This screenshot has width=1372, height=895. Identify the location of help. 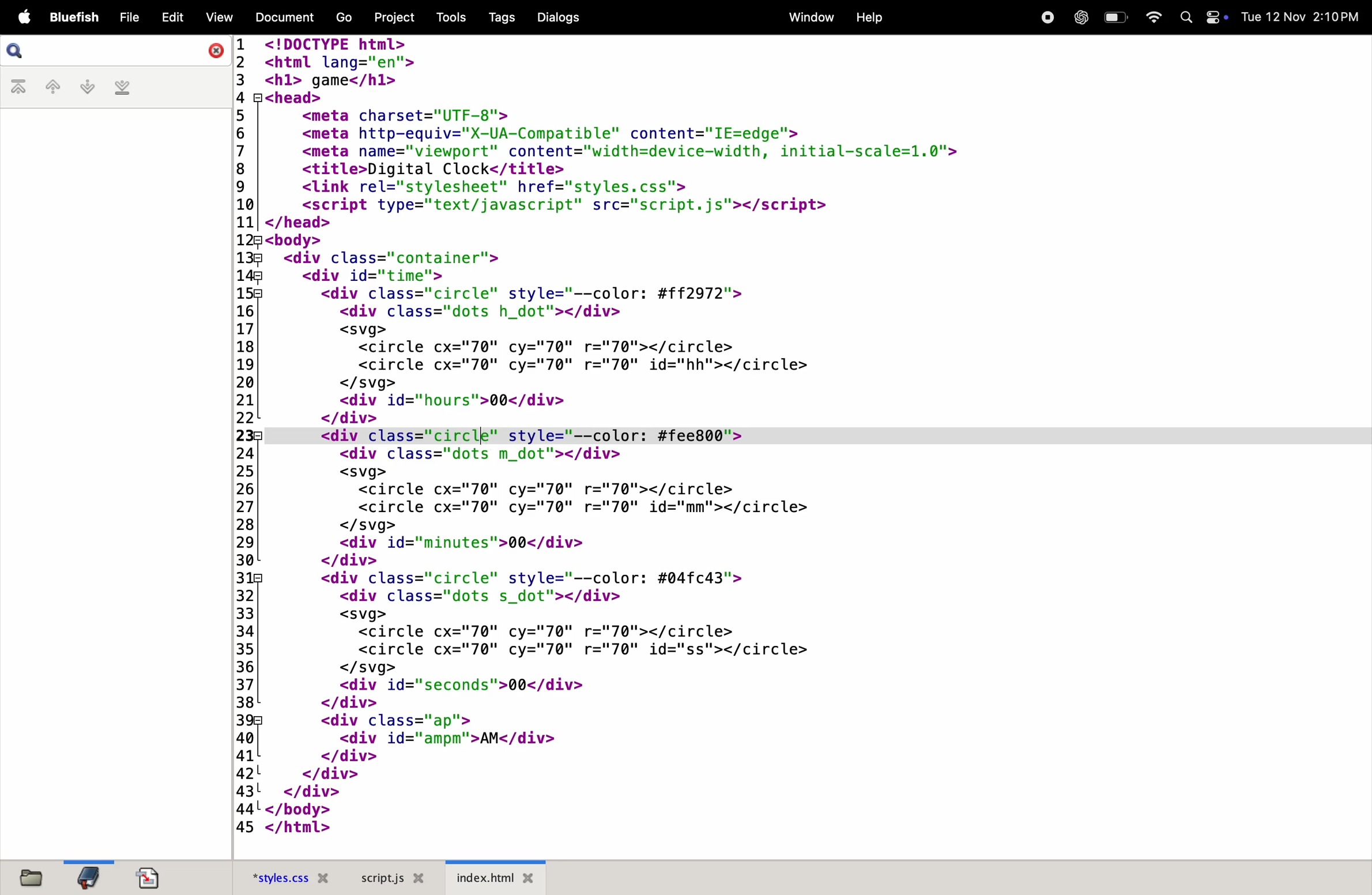
(872, 19).